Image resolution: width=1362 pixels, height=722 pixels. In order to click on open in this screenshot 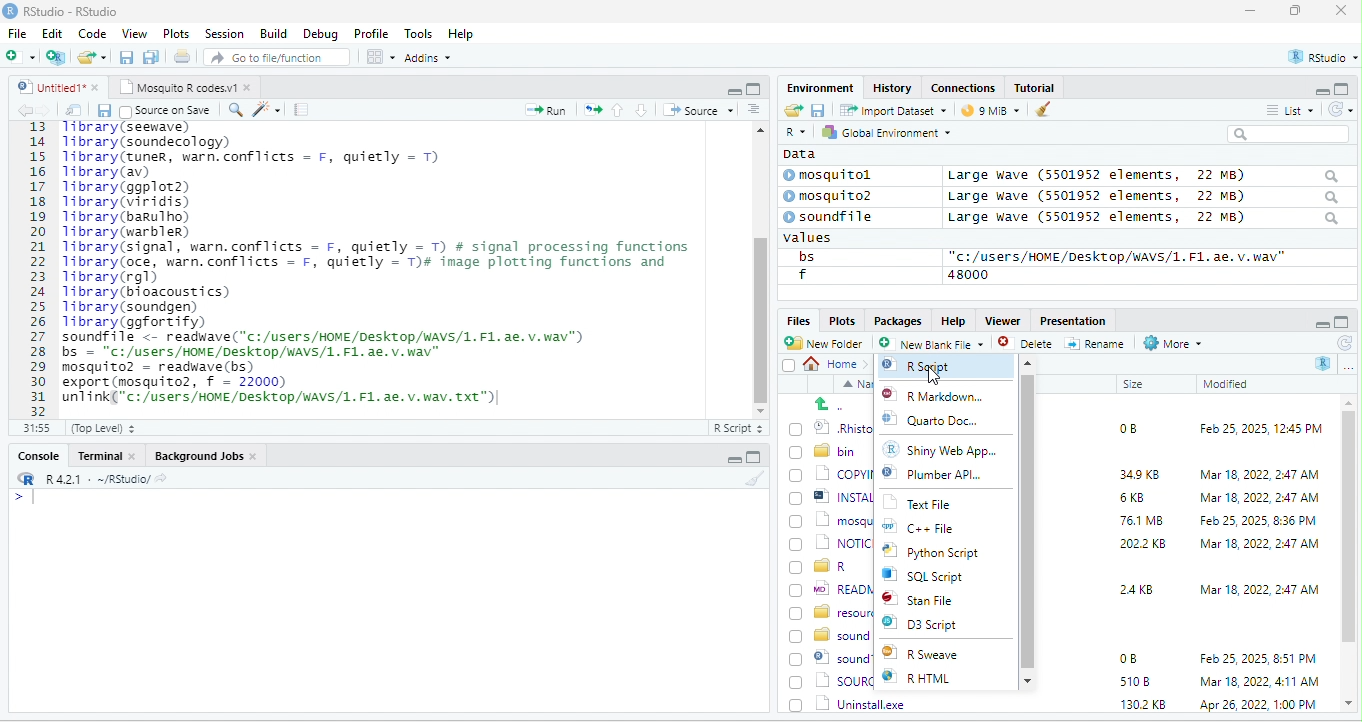, I will do `click(593, 108)`.